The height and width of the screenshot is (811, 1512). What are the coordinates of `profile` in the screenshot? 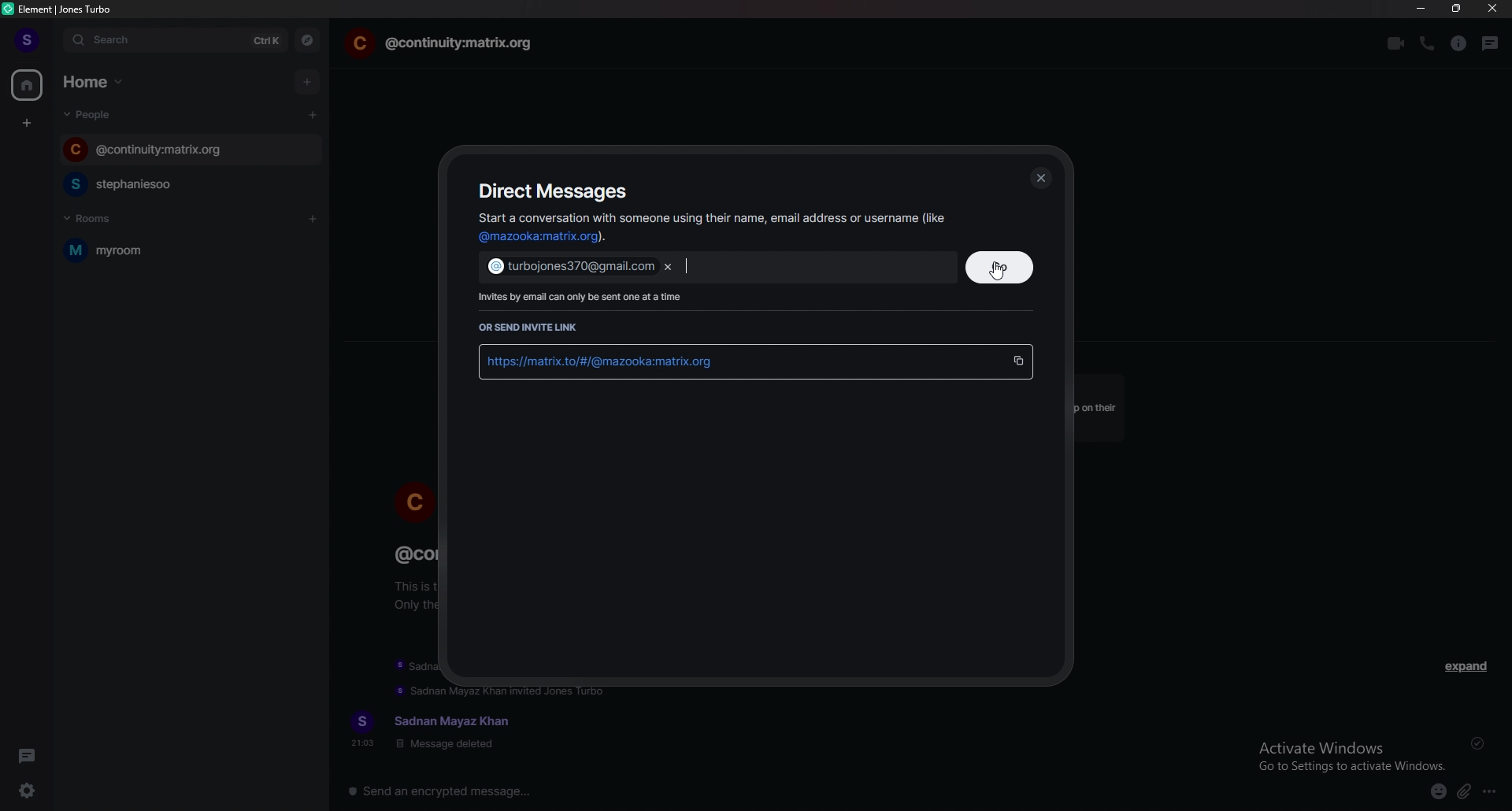 It's located at (28, 40).